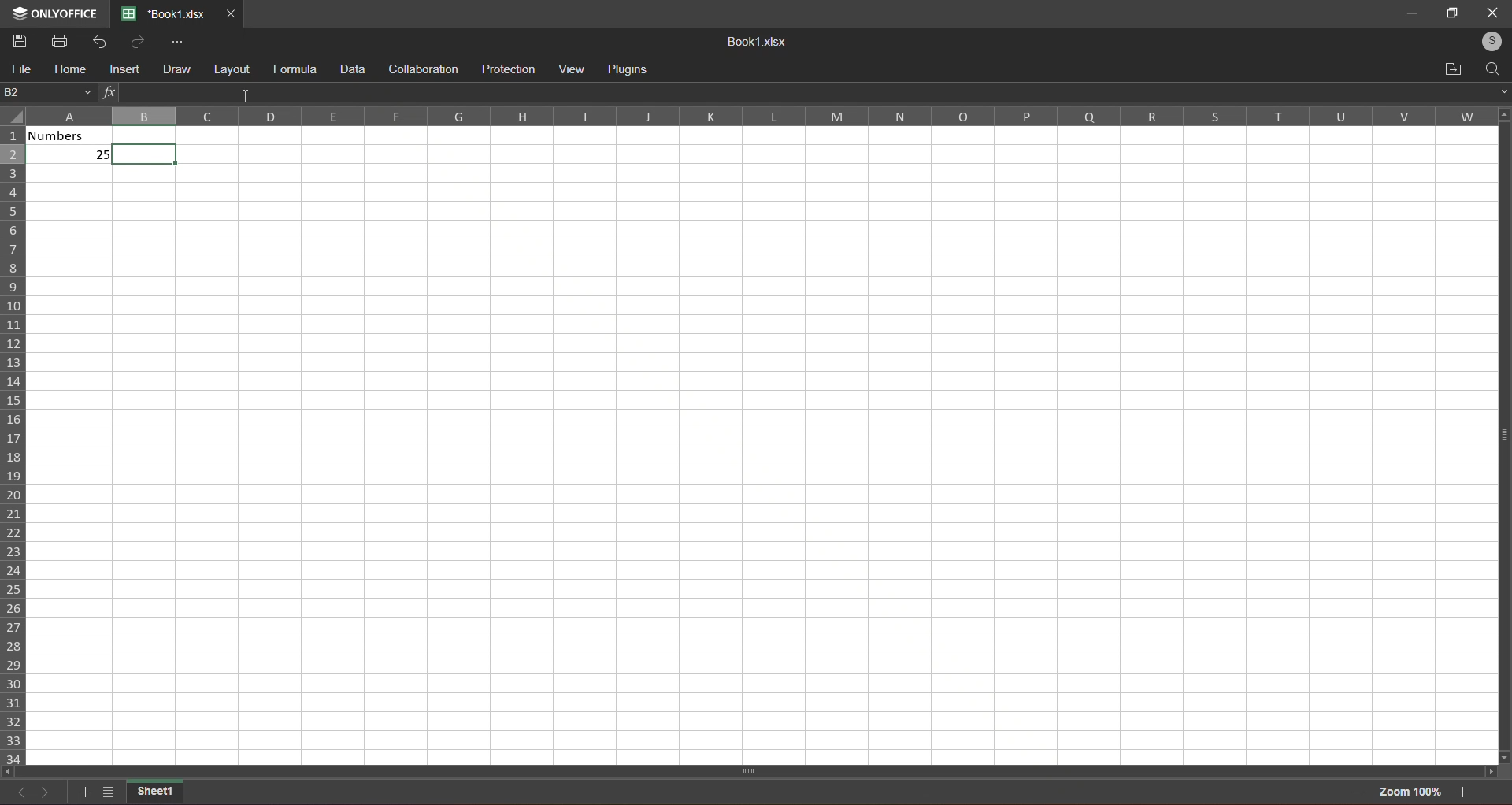 This screenshot has width=1512, height=805. I want to click on plugins, so click(632, 67).